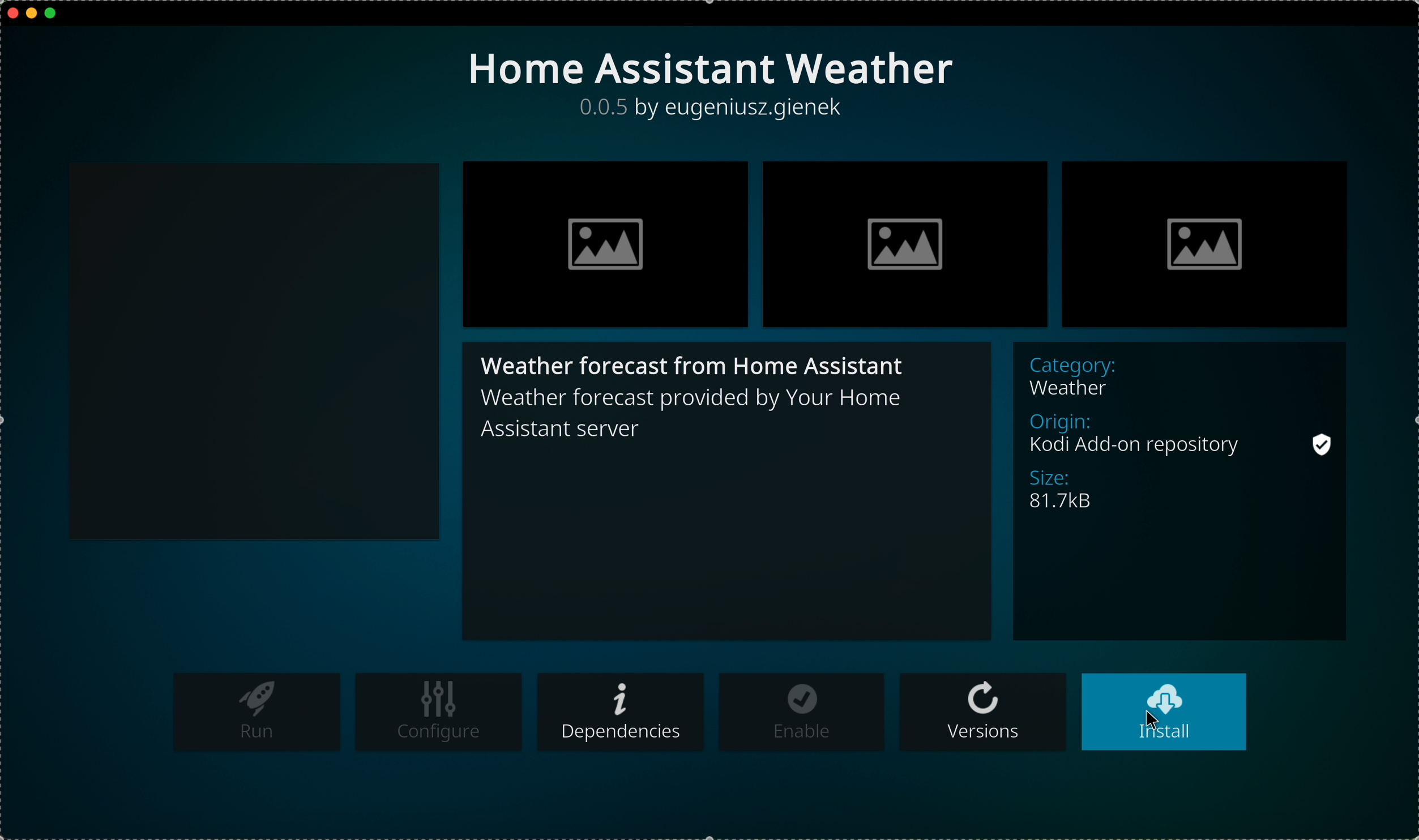 The height and width of the screenshot is (840, 1419). What do you see at coordinates (438, 712) in the screenshot?
I see `configure` at bounding box center [438, 712].